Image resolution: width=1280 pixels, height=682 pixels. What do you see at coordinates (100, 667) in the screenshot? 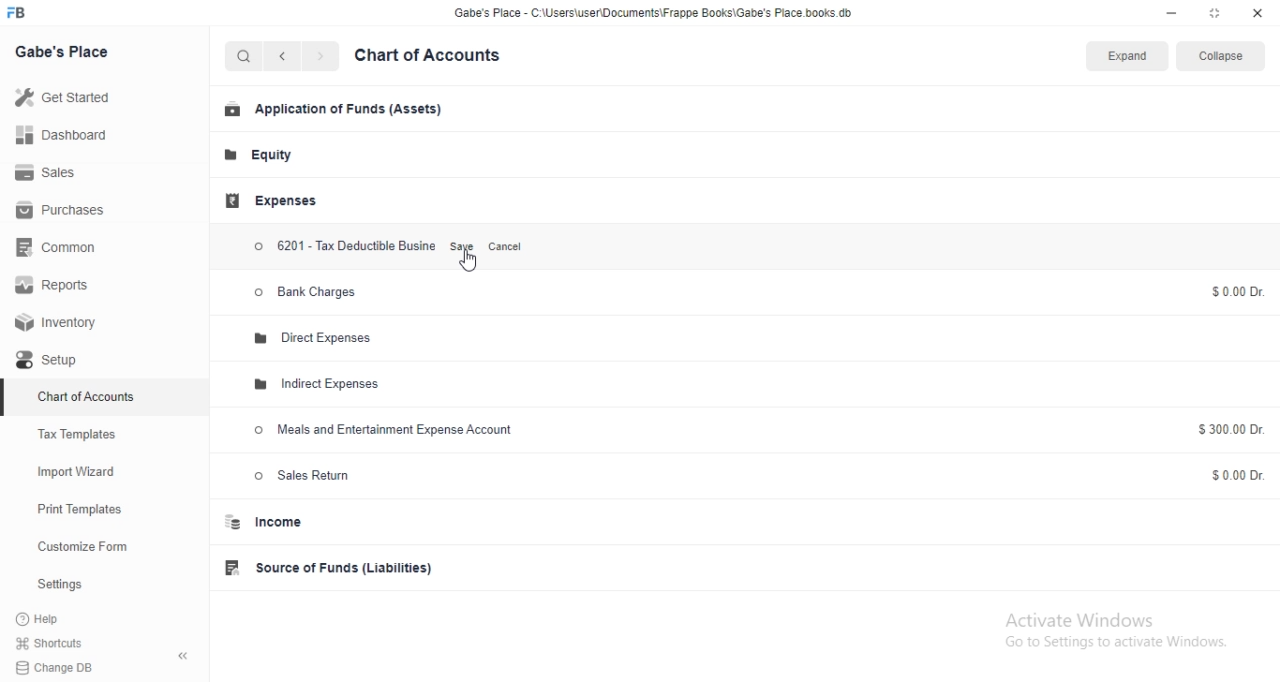
I see `Change DB` at bounding box center [100, 667].